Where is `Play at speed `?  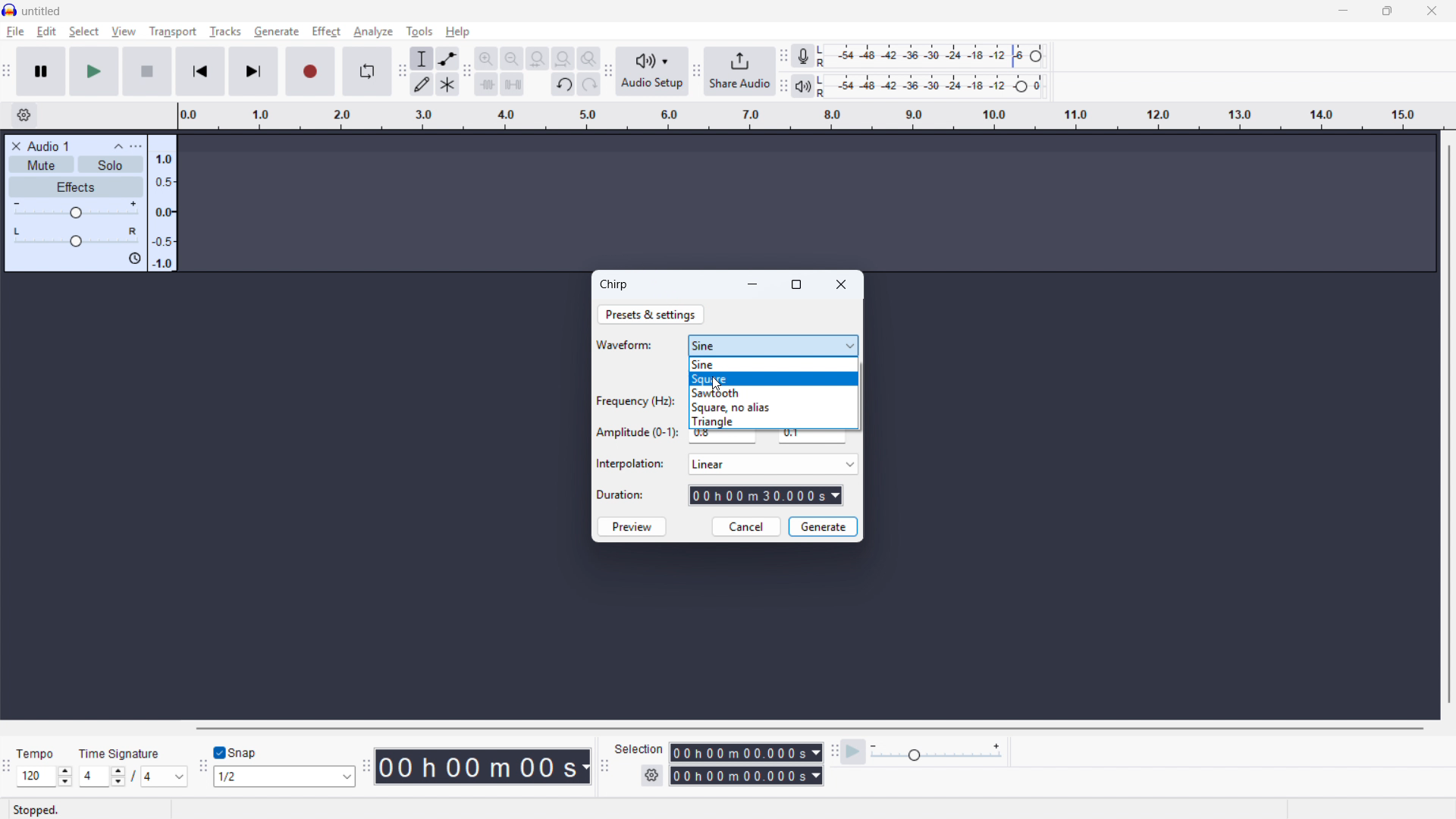
Play at speed  is located at coordinates (854, 751).